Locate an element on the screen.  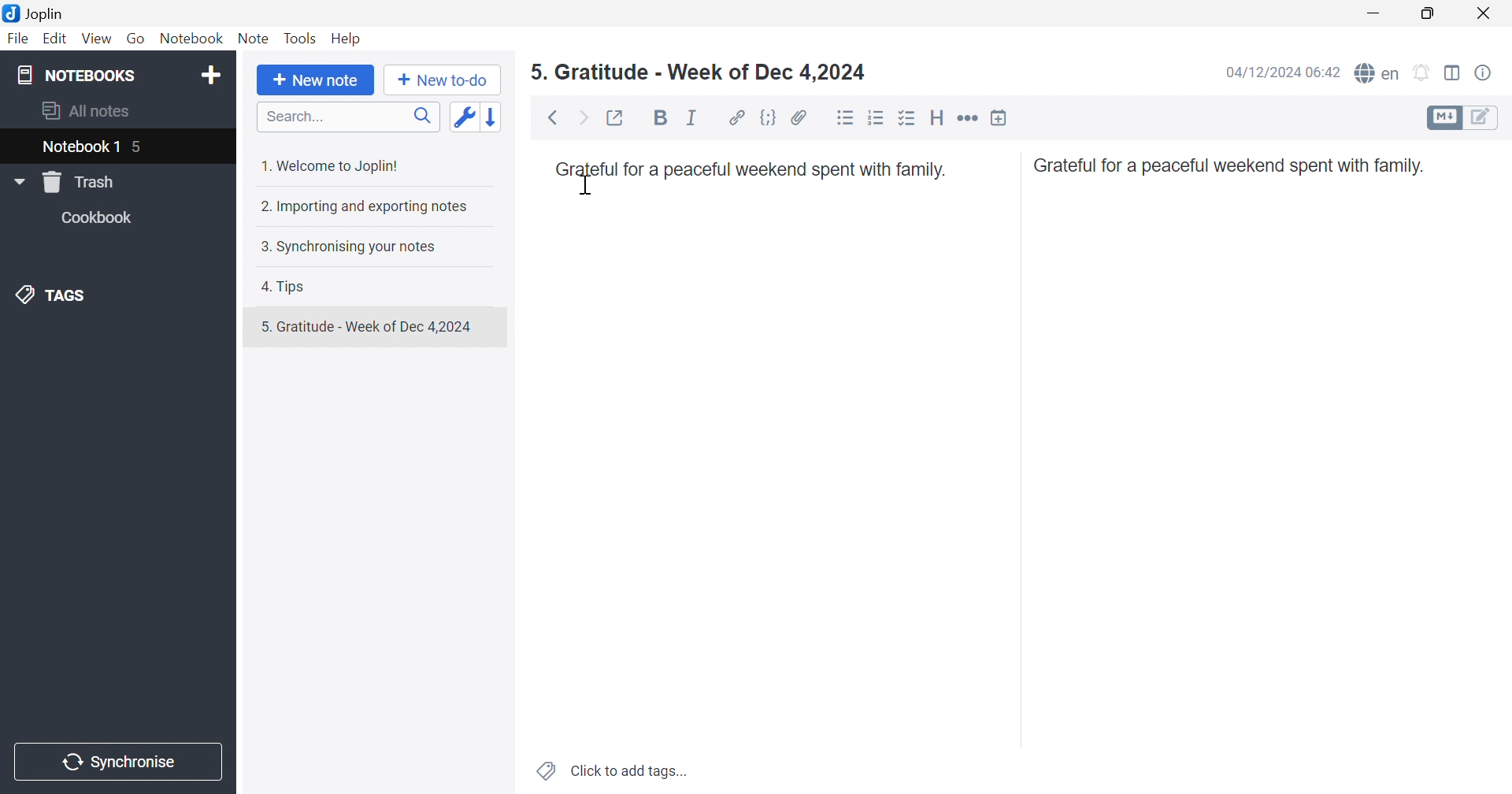
Grateful for peaceful weekend with family is located at coordinates (753, 169).